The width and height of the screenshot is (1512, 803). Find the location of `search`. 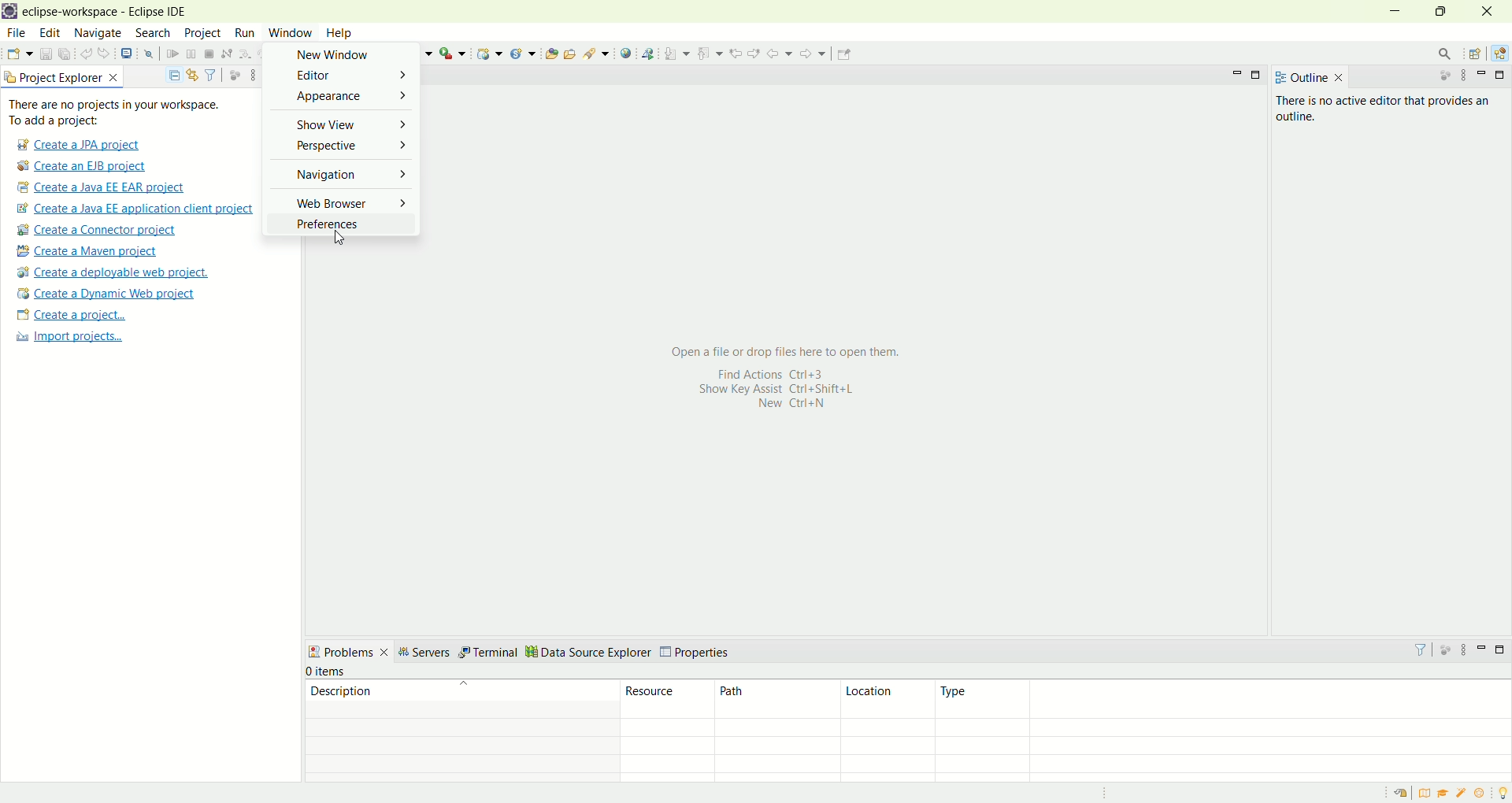

search is located at coordinates (1440, 54).